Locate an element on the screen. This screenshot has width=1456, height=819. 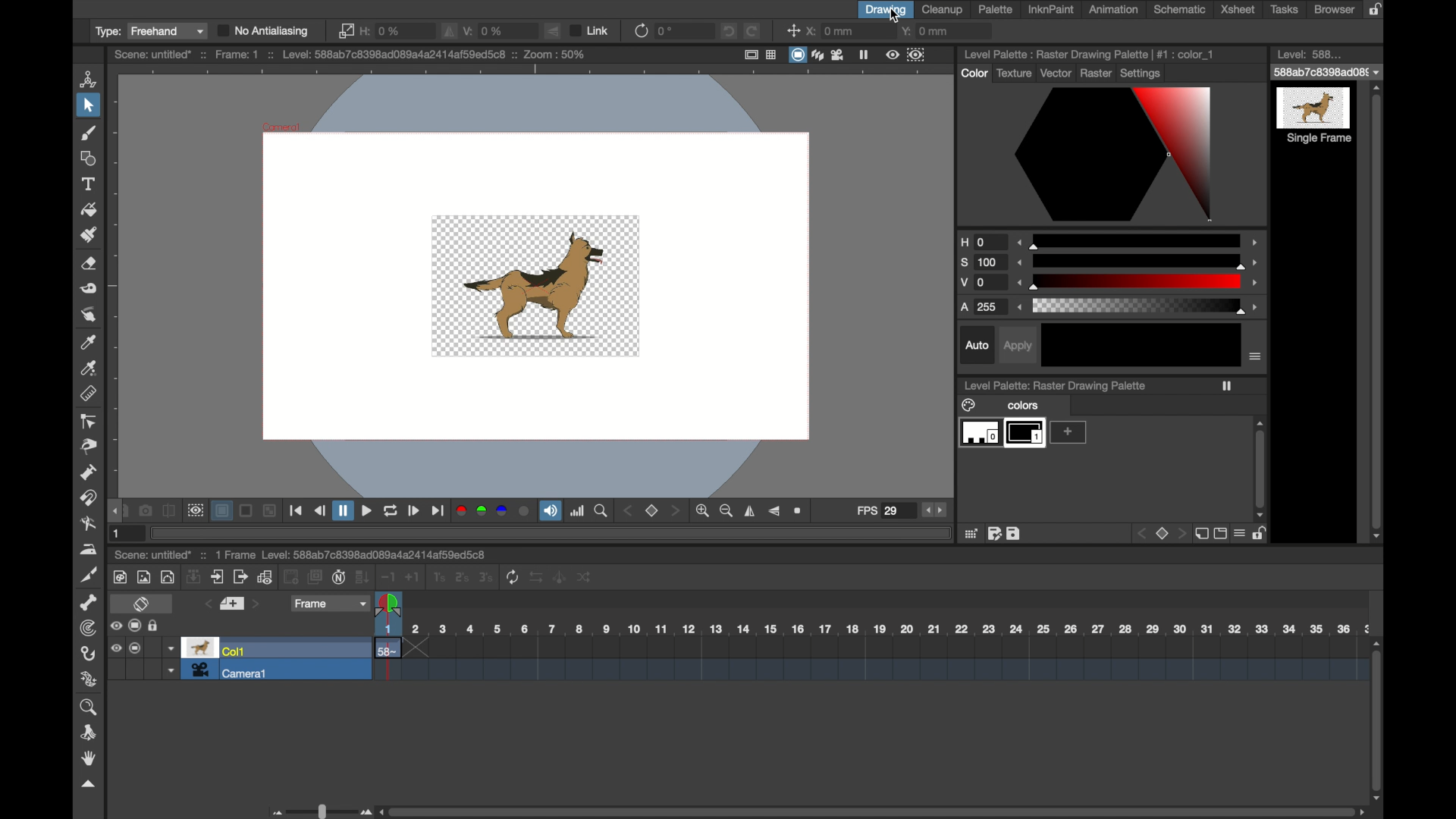
tracker tool is located at coordinates (88, 628).